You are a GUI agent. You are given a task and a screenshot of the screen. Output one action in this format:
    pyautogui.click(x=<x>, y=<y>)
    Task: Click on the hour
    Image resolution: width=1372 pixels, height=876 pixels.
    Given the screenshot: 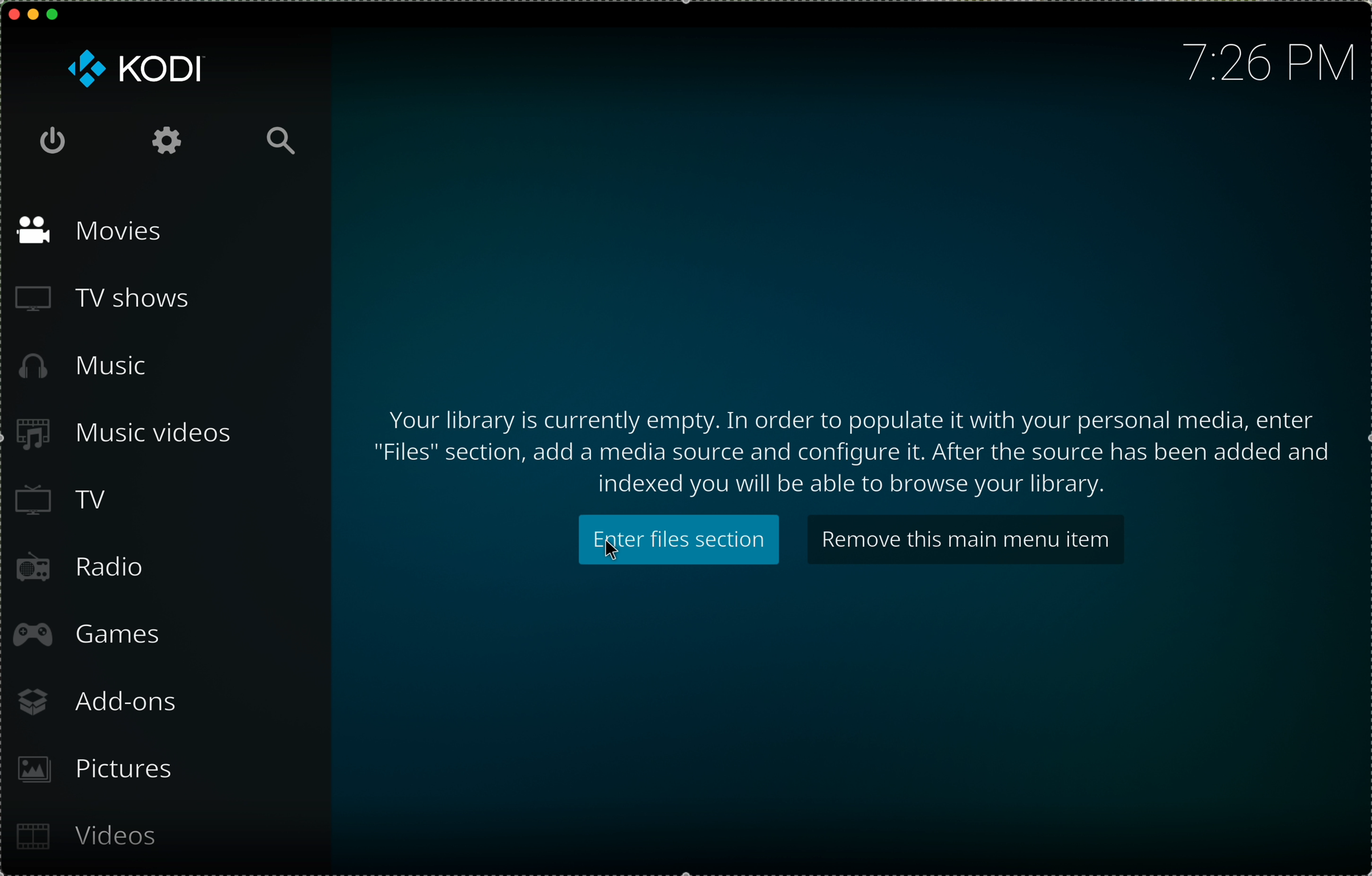 What is the action you would take?
    pyautogui.click(x=1271, y=62)
    